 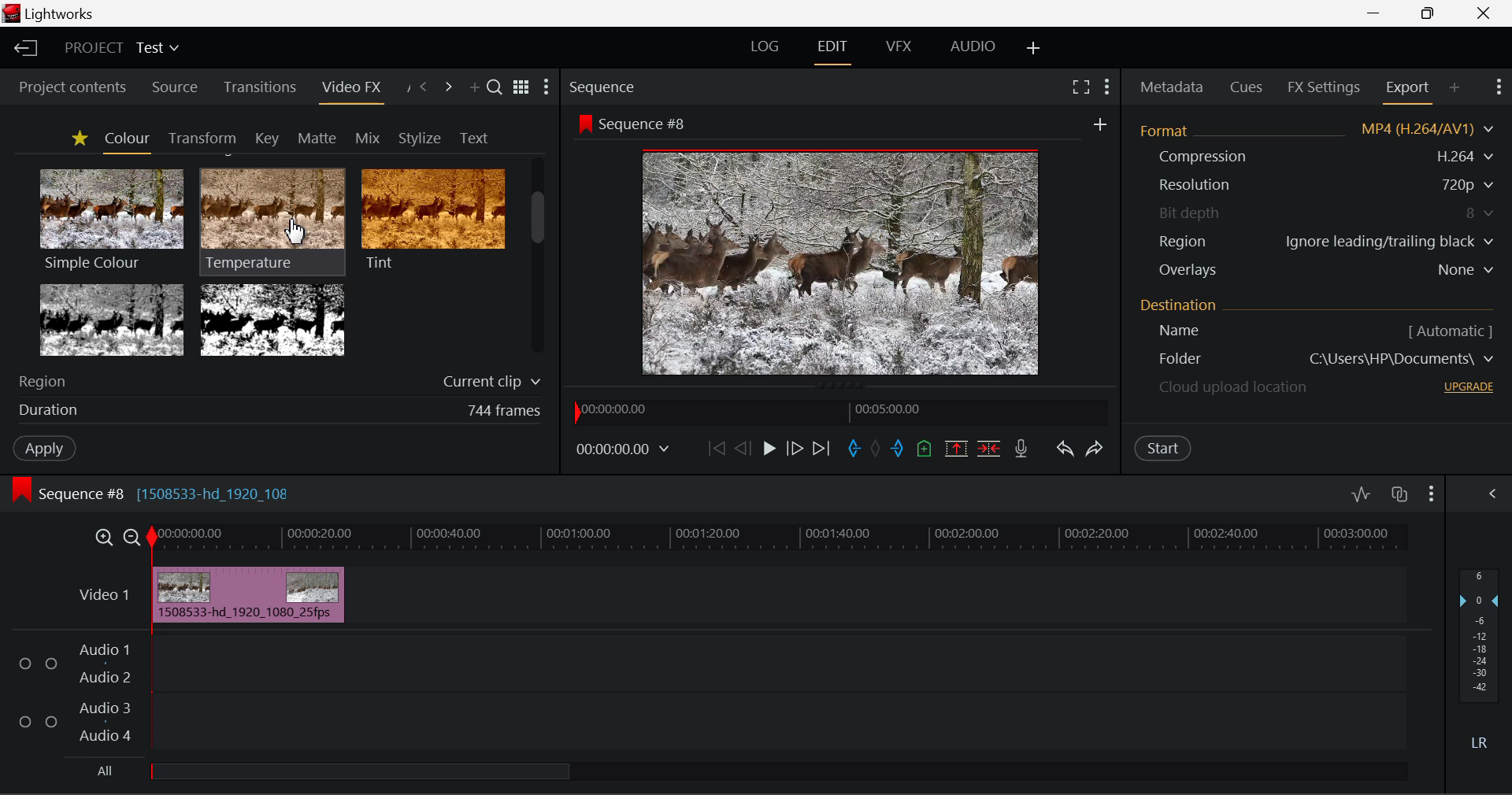 What do you see at coordinates (425, 89) in the screenshot?
I see `Previous Panel` at bounding box center [425, 89].